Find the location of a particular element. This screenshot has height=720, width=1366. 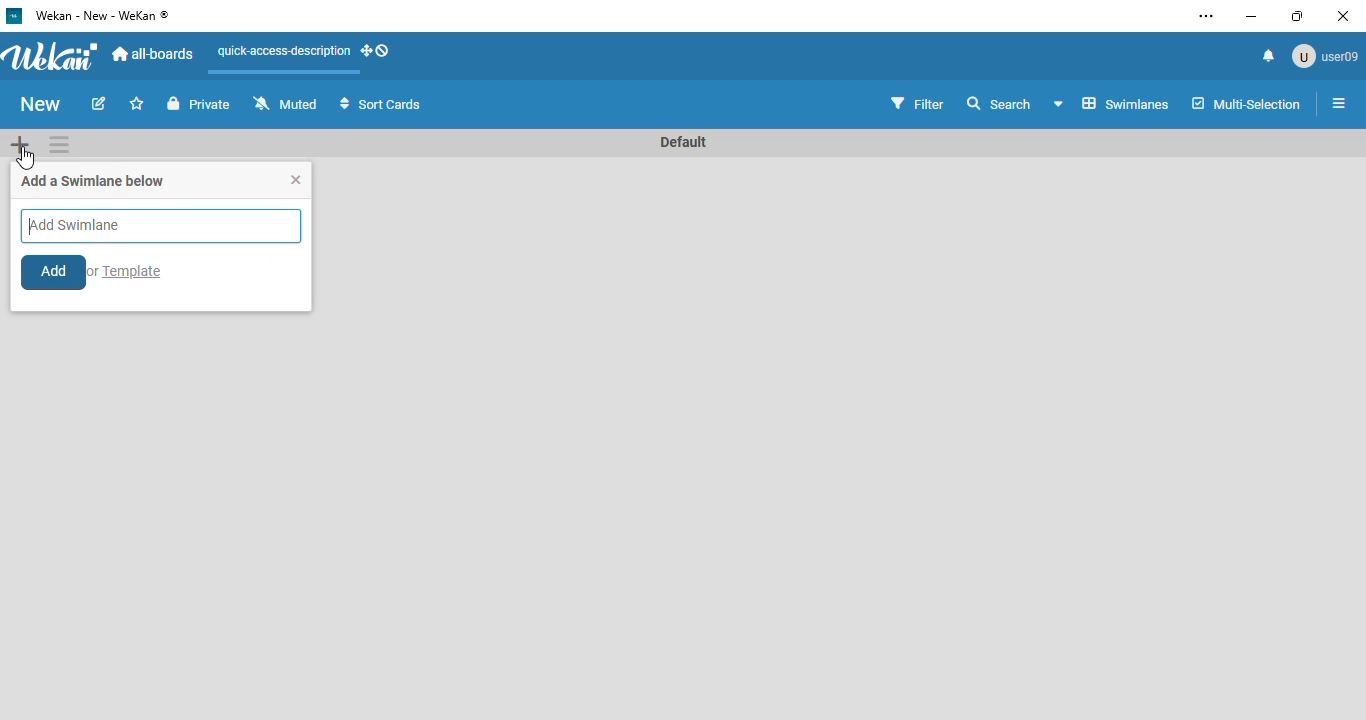

private is located at coordinates (200, 103).